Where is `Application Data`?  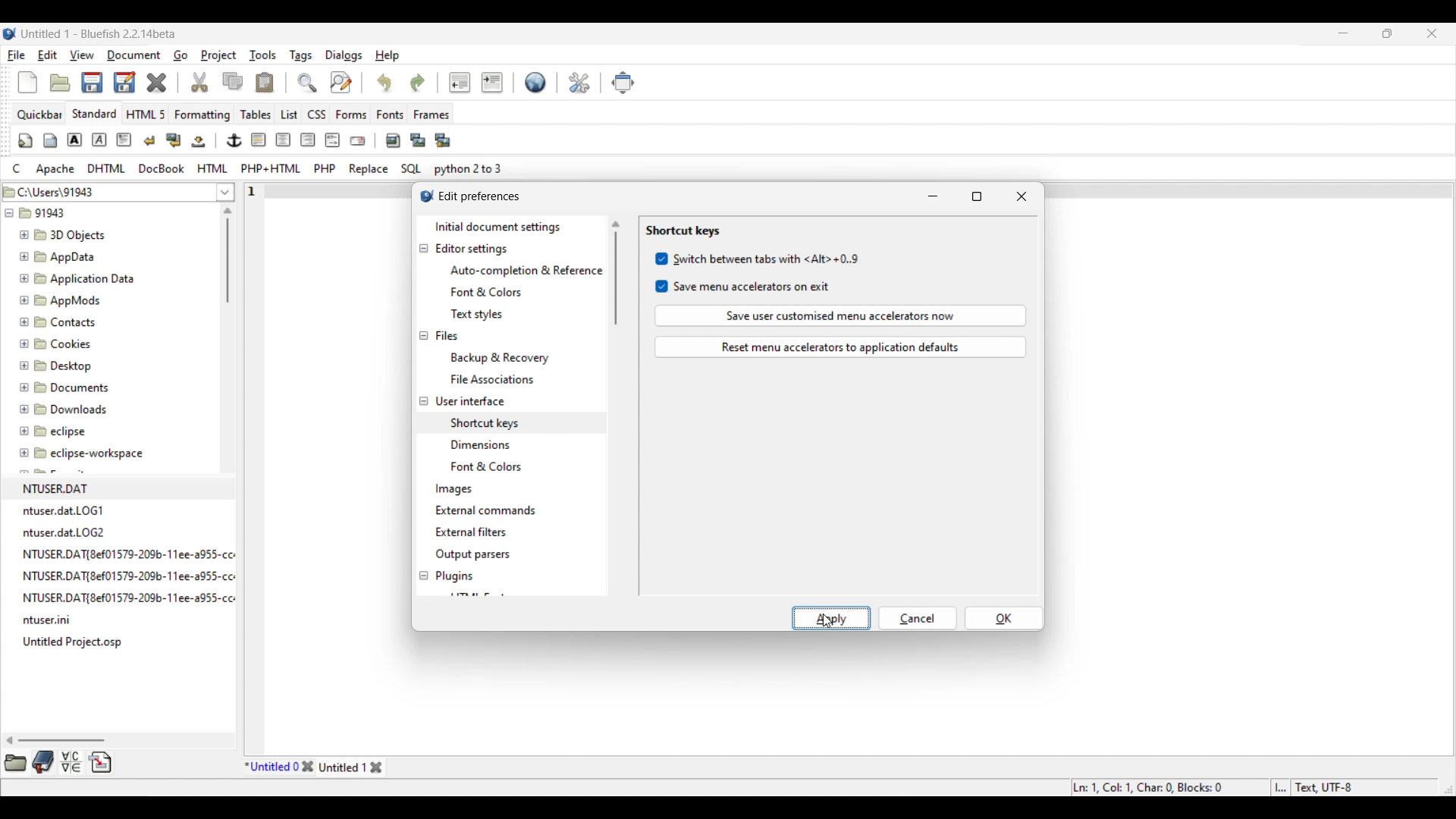 Application Data is located at coordinates (77, 276).